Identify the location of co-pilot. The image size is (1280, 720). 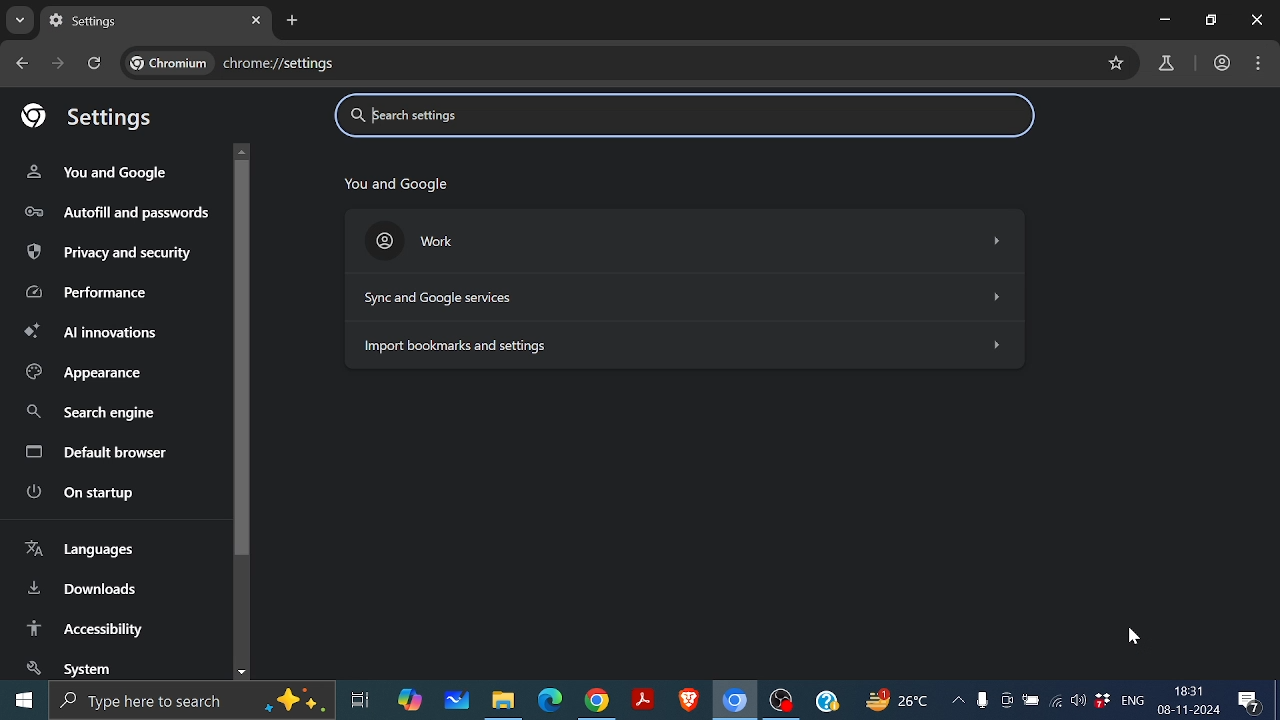
(411, 701).